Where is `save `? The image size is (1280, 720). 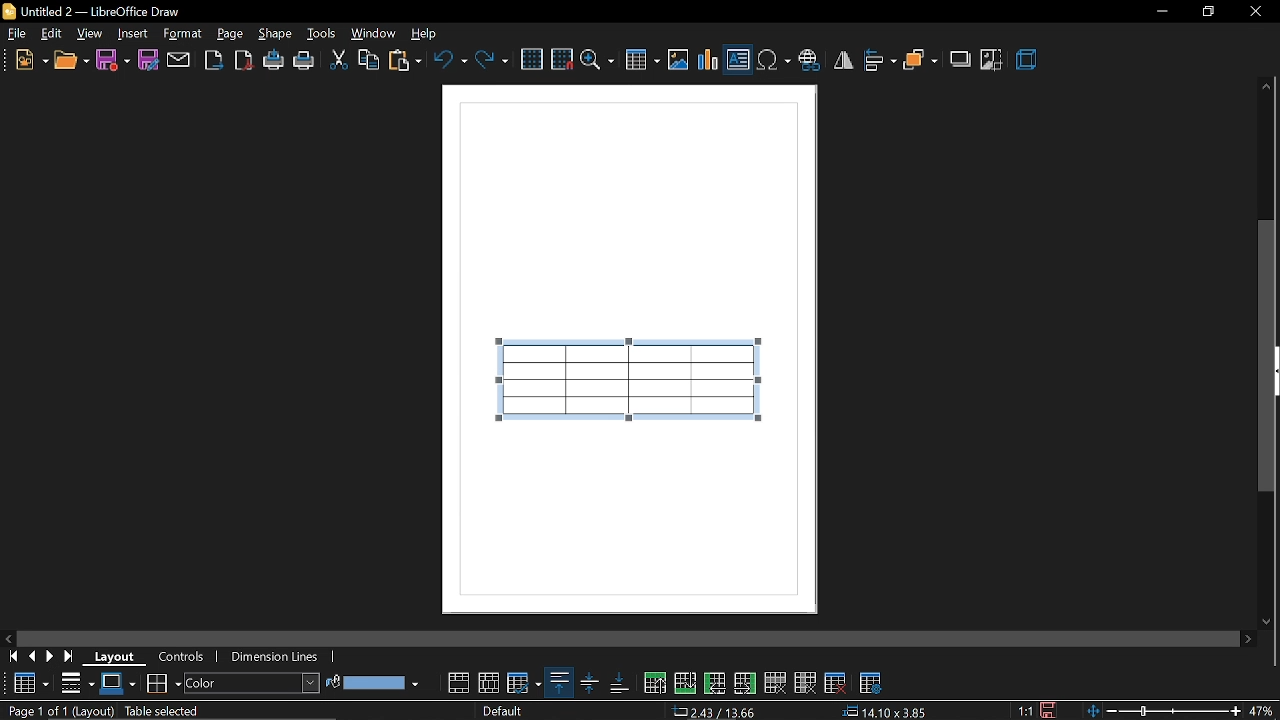 save  is located at coordinates (112, 61).